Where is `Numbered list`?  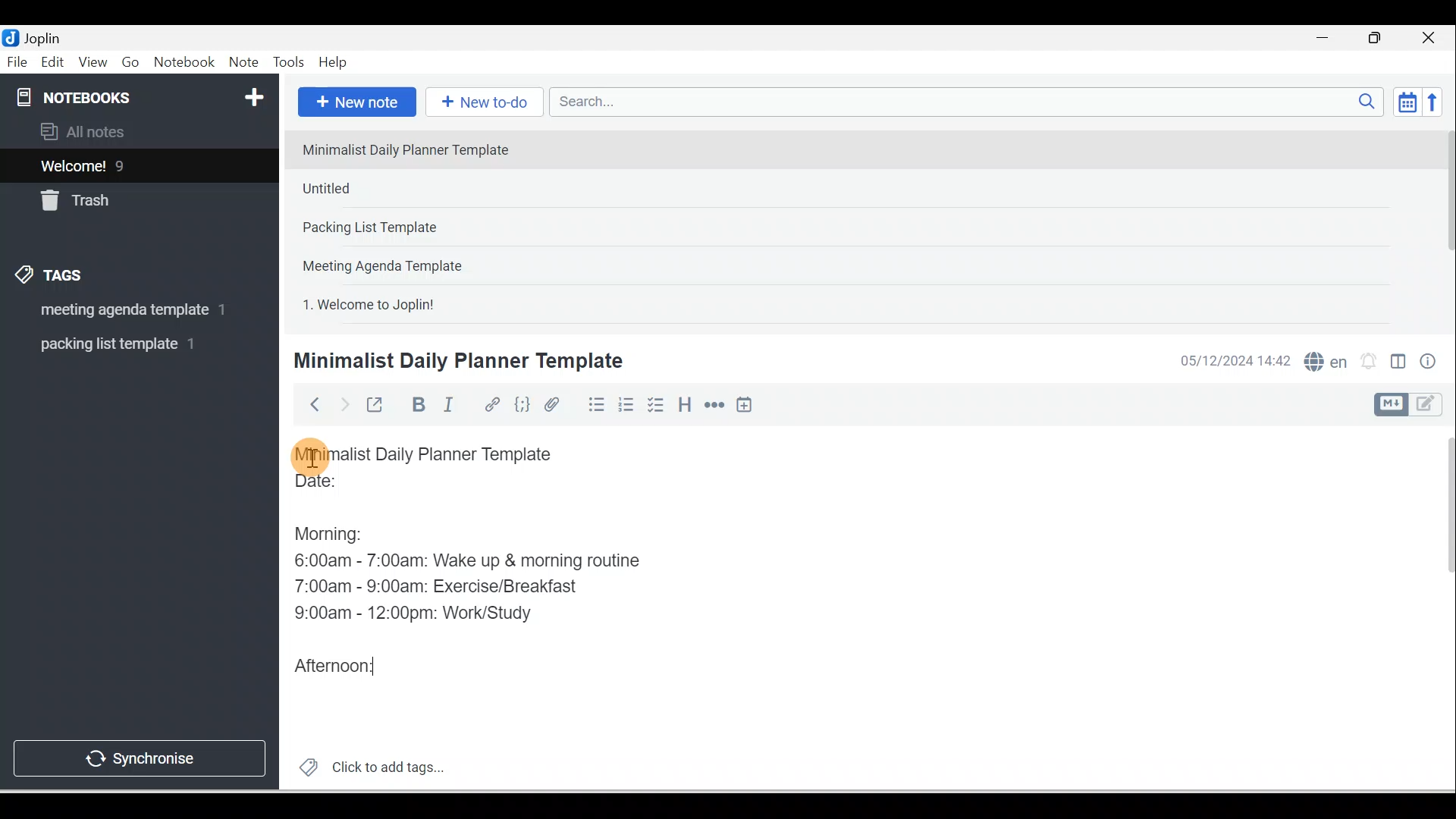 Numbered list is located at coordinates (626, 404).